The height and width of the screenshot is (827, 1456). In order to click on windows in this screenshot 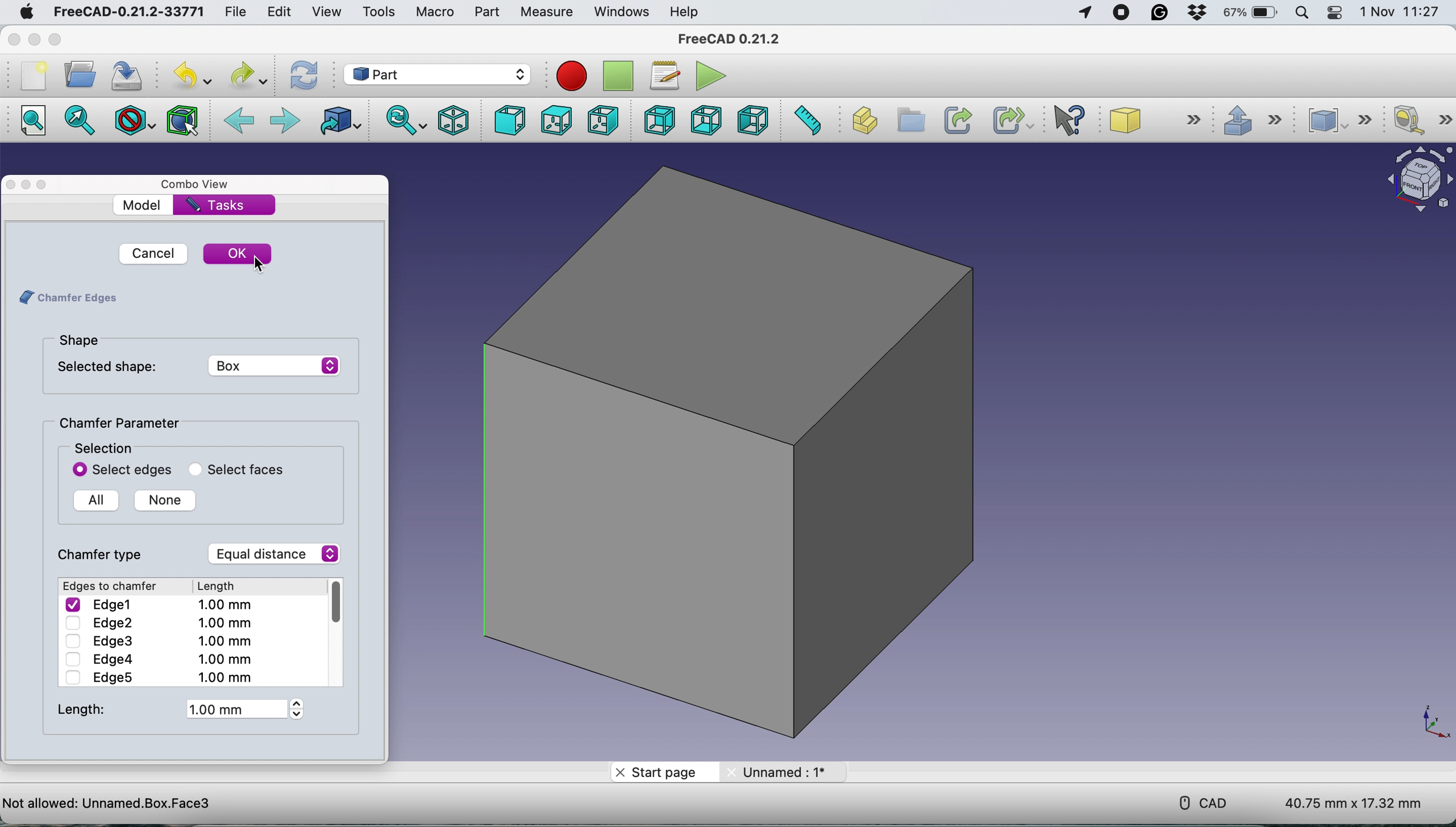, I will do `click(623, 12)`.